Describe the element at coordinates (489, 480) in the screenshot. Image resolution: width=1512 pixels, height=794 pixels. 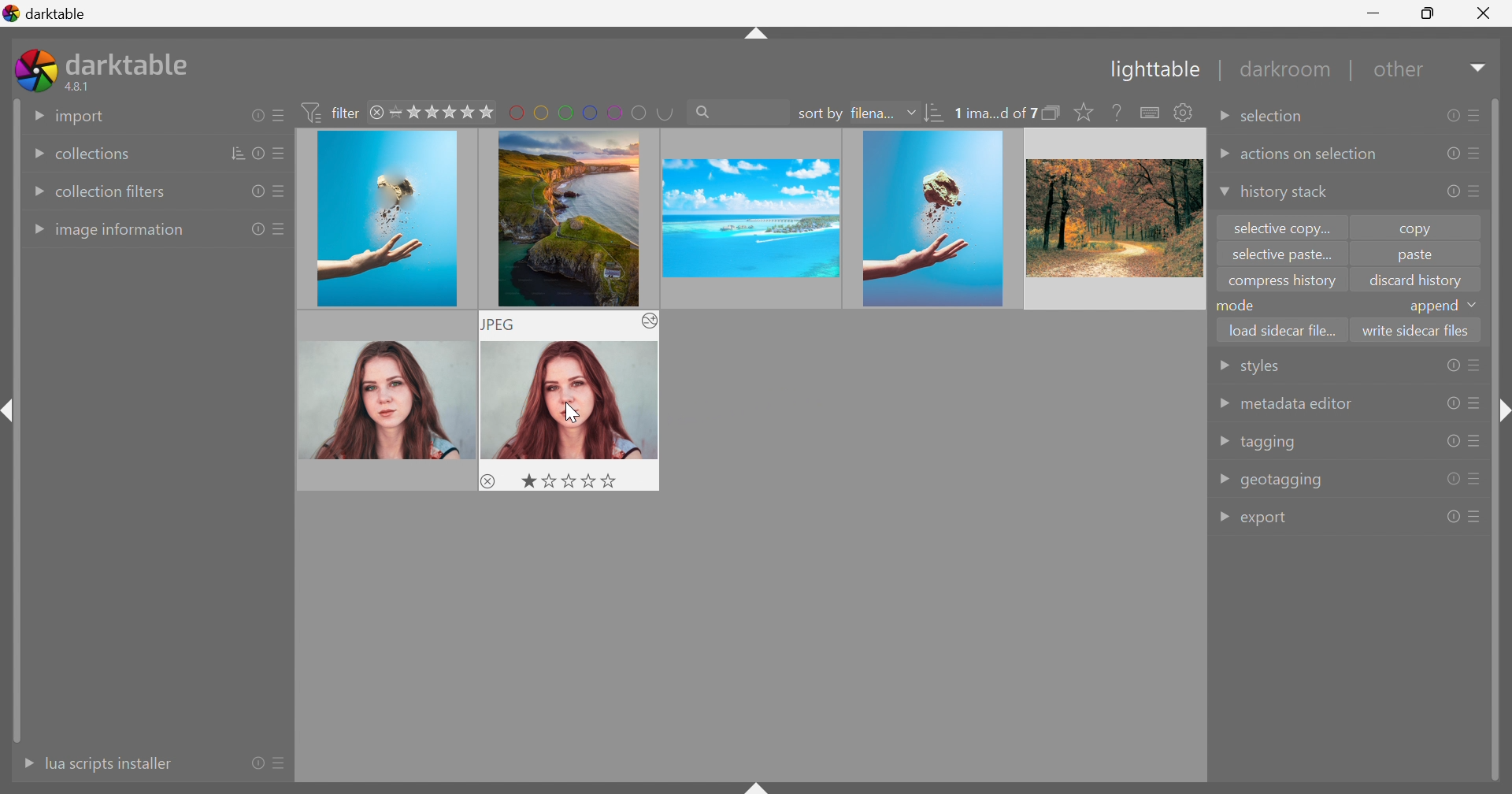
I see `Reject` at that location.